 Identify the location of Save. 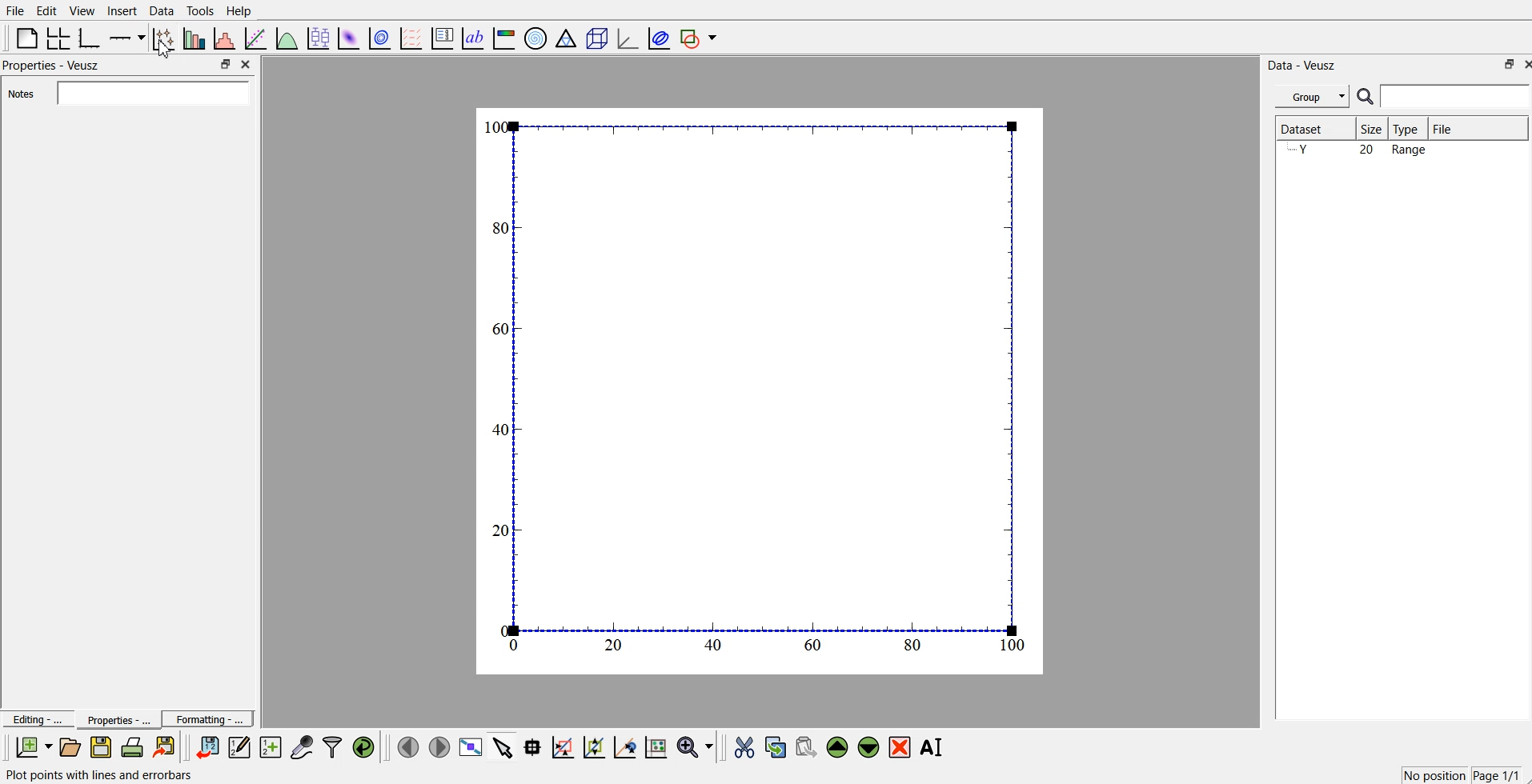
(101, 747).